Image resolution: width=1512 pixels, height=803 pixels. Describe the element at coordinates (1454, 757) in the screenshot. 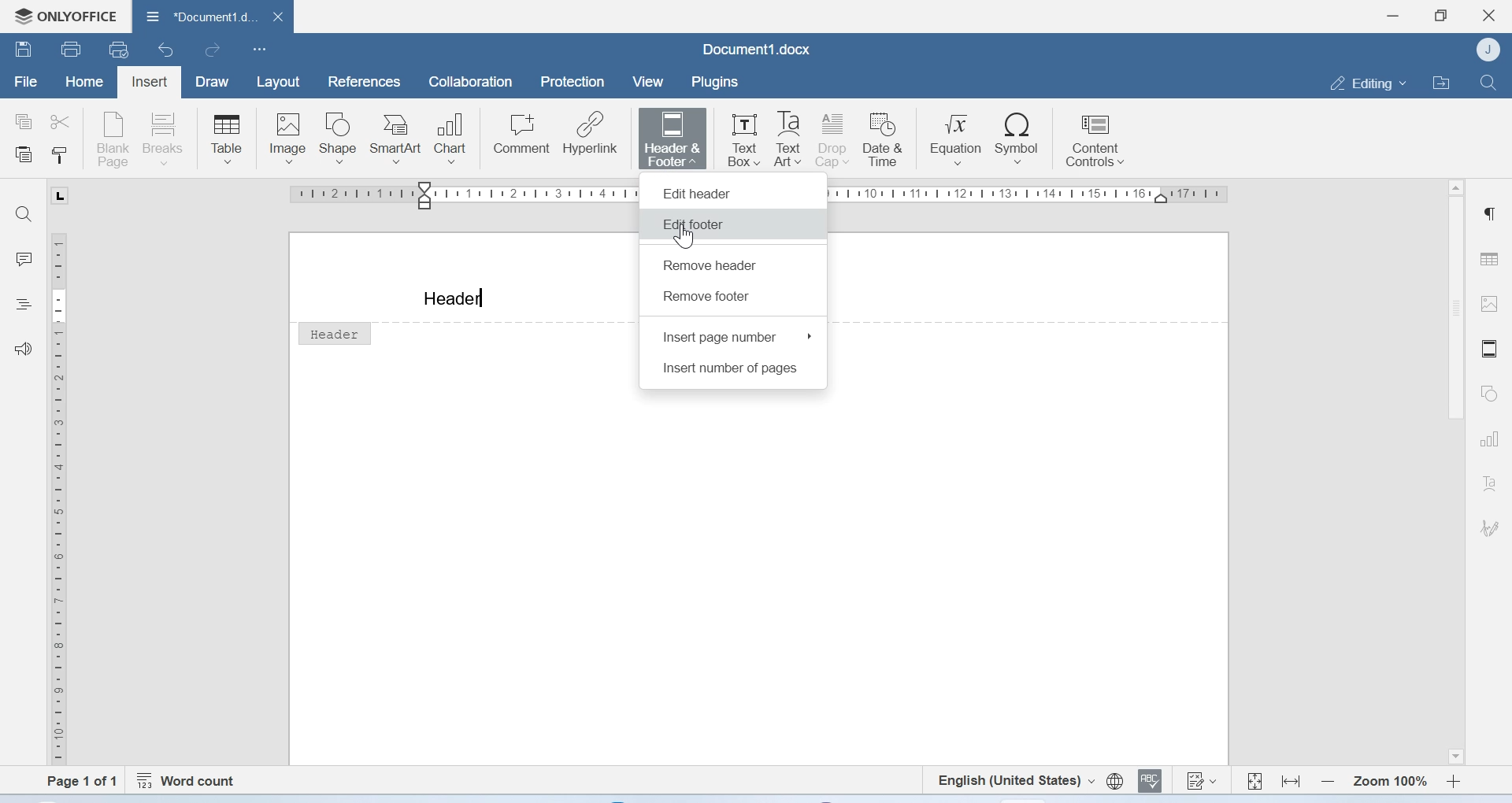

I see `Scroll down` at that location.